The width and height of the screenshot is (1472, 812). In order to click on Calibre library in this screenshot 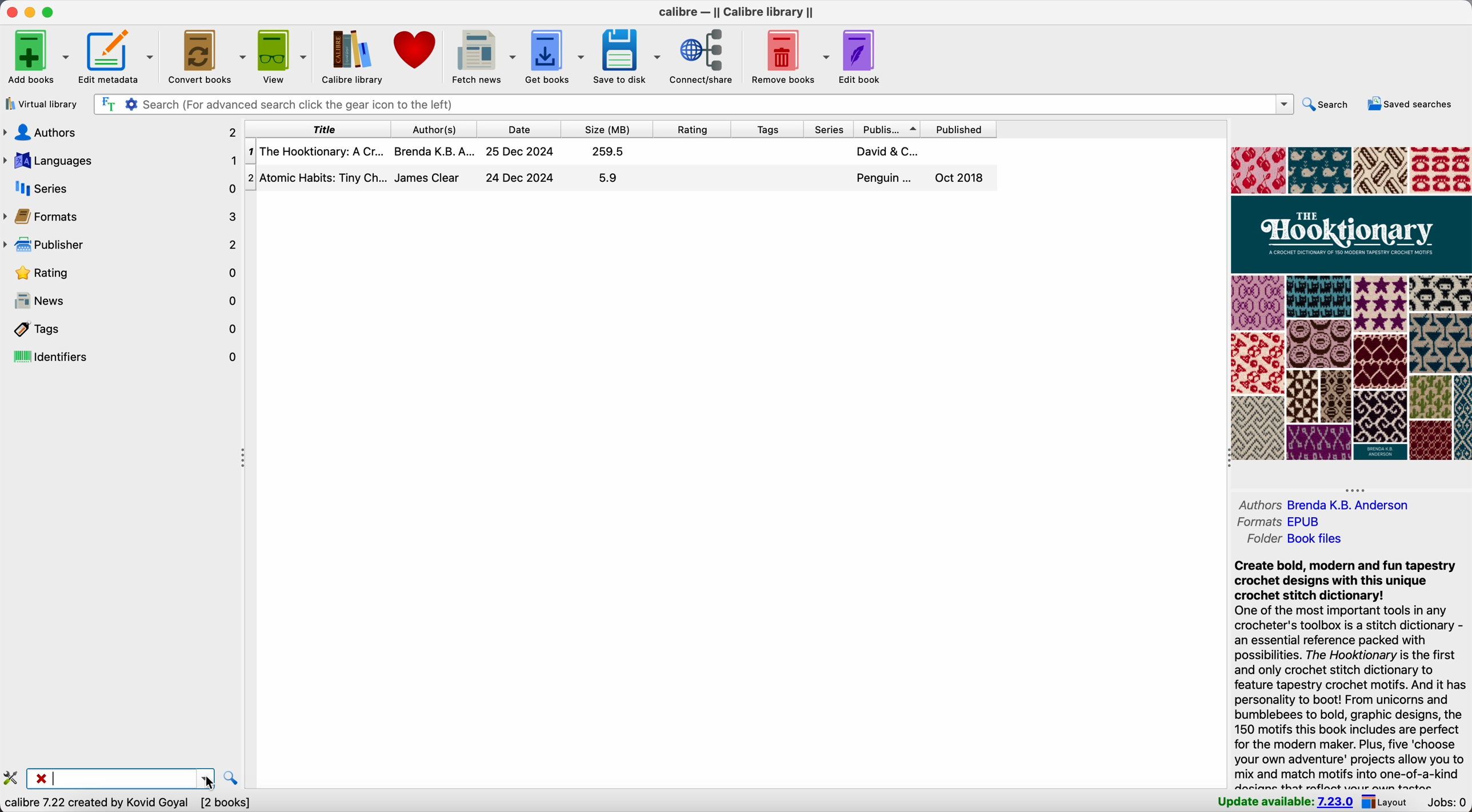, I will do `click(351, 59)`.